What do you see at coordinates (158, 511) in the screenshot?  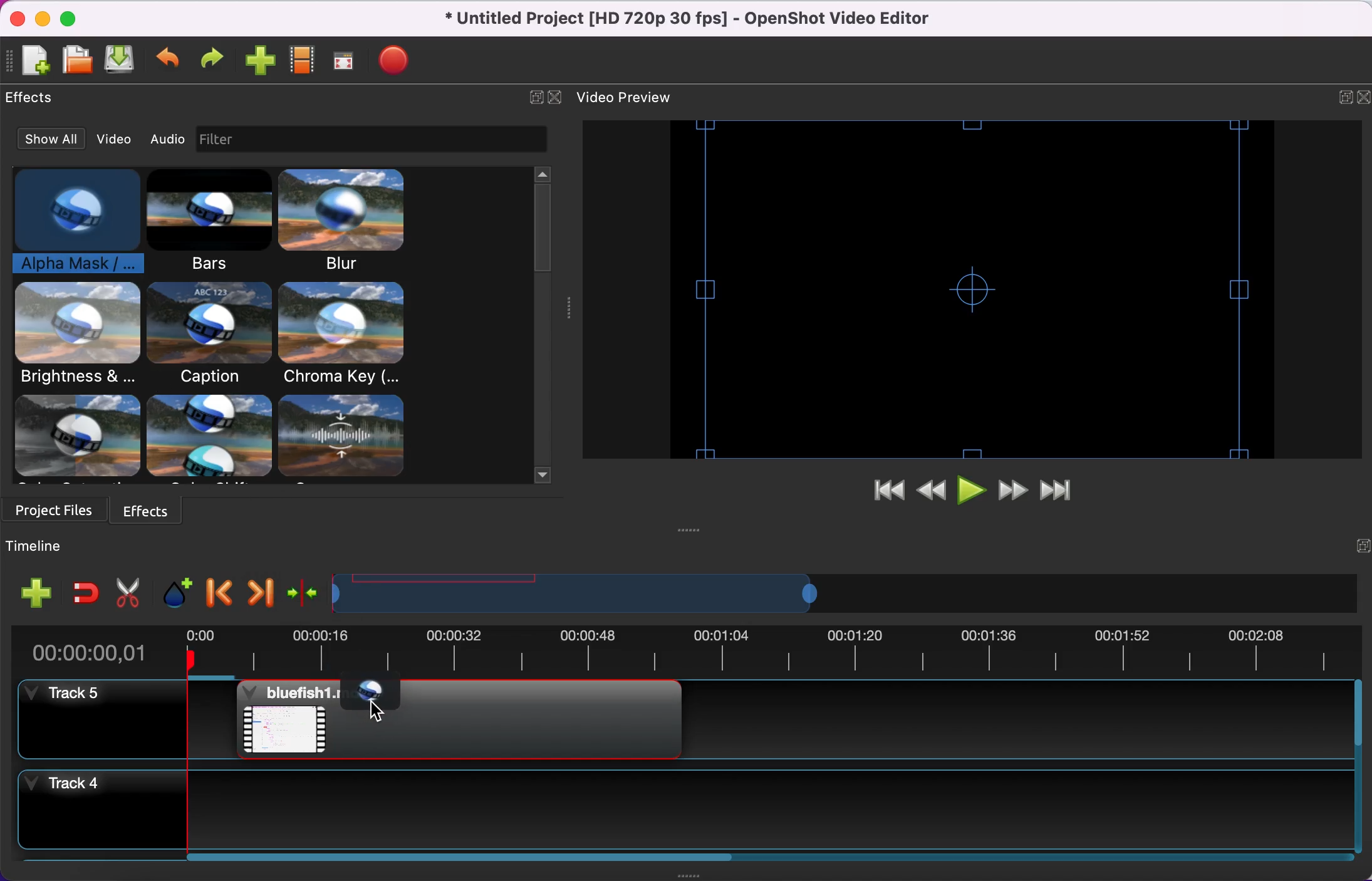 I see `effects` at bounding box center [158, 511].